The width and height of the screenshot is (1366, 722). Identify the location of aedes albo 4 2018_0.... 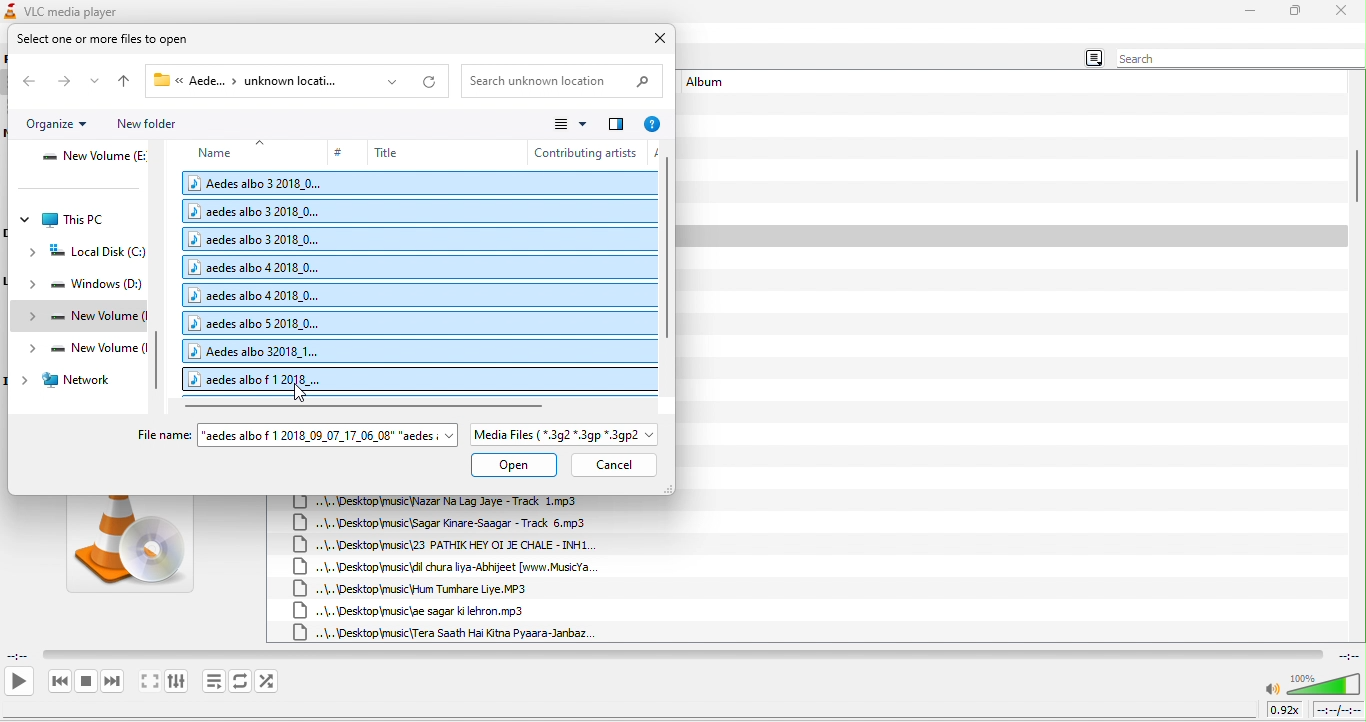
(256, 266).